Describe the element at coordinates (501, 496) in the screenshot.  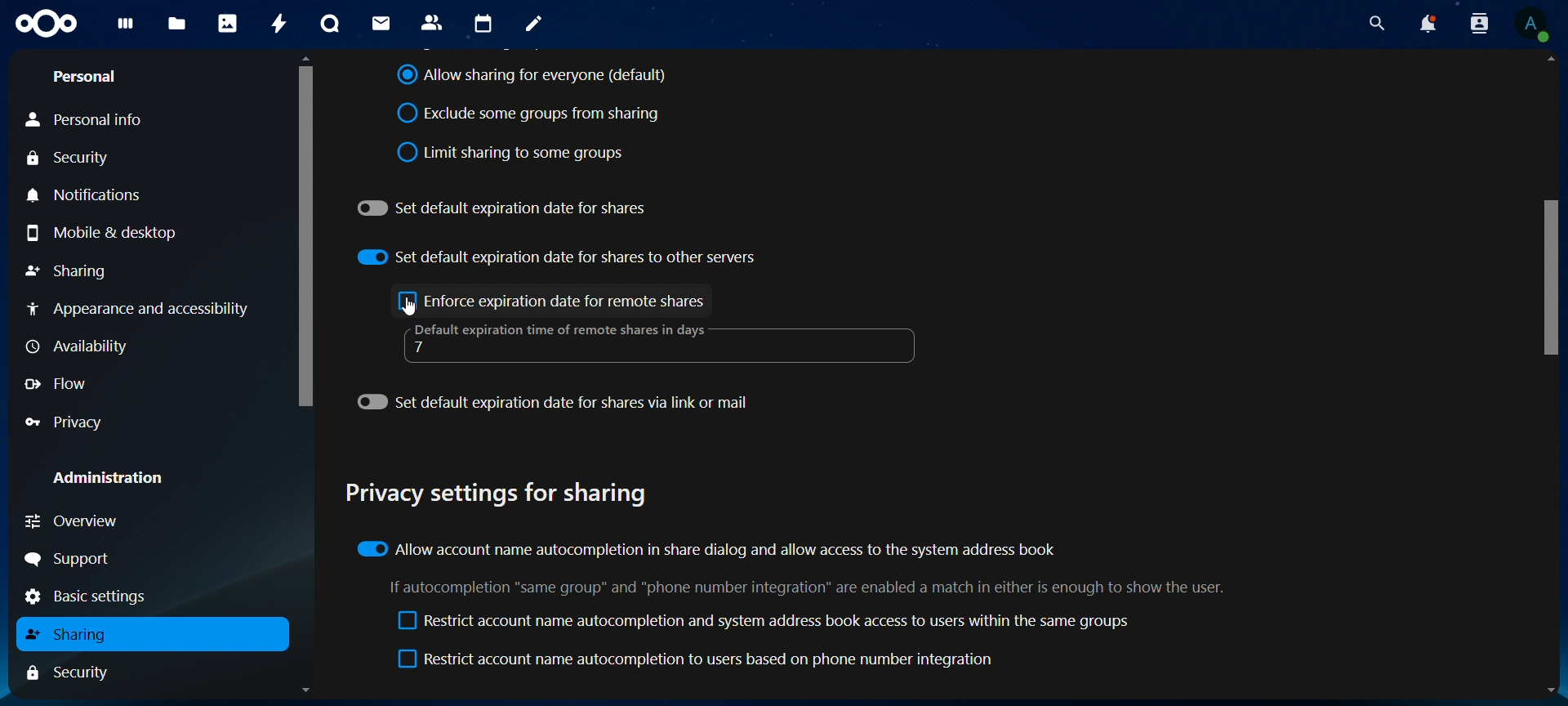
I see `Privacy settings for sharing` at that location.